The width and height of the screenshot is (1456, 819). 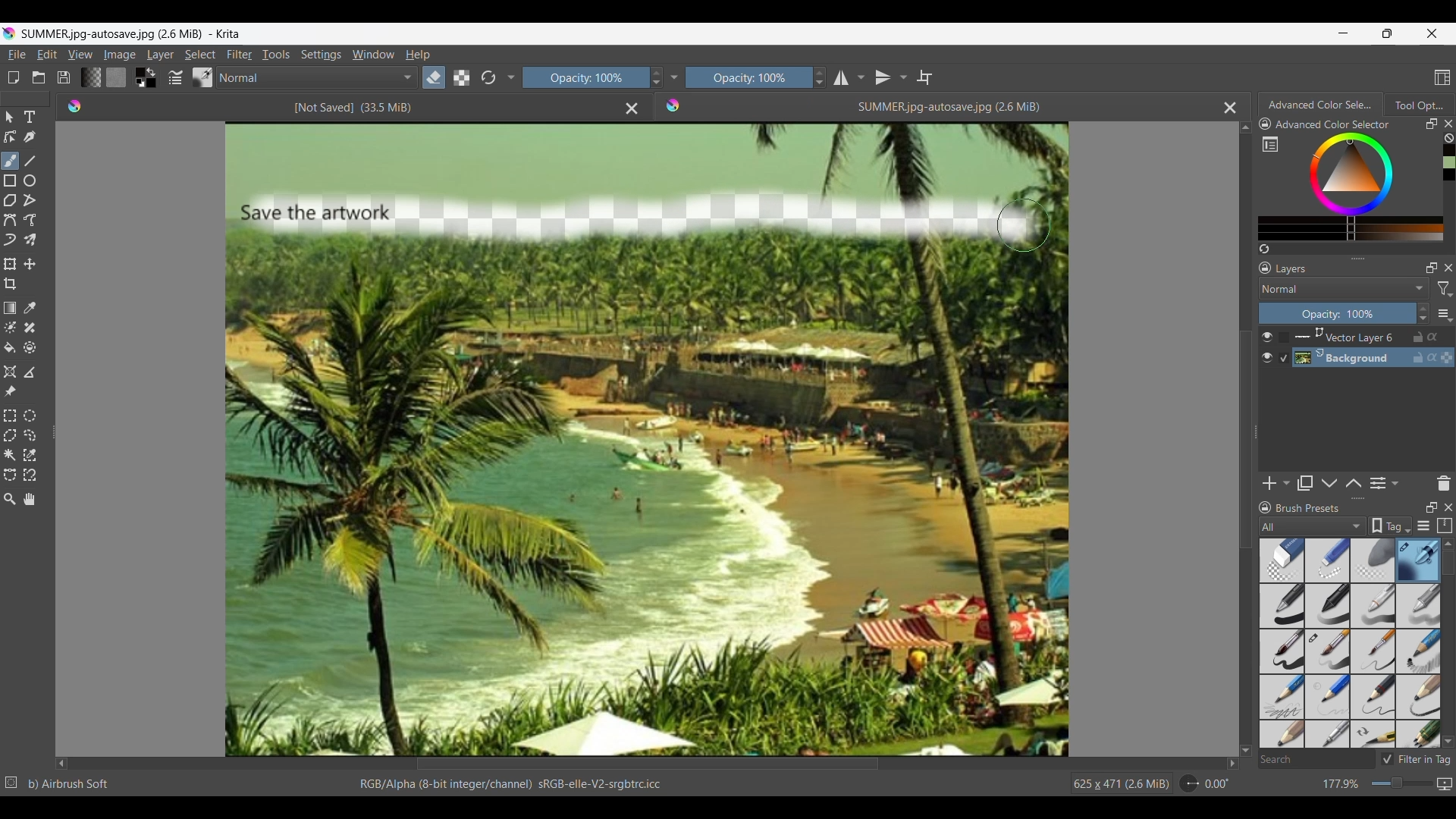 I want to click on Show interface in a smaller tab, so click(x=1387, y=33).